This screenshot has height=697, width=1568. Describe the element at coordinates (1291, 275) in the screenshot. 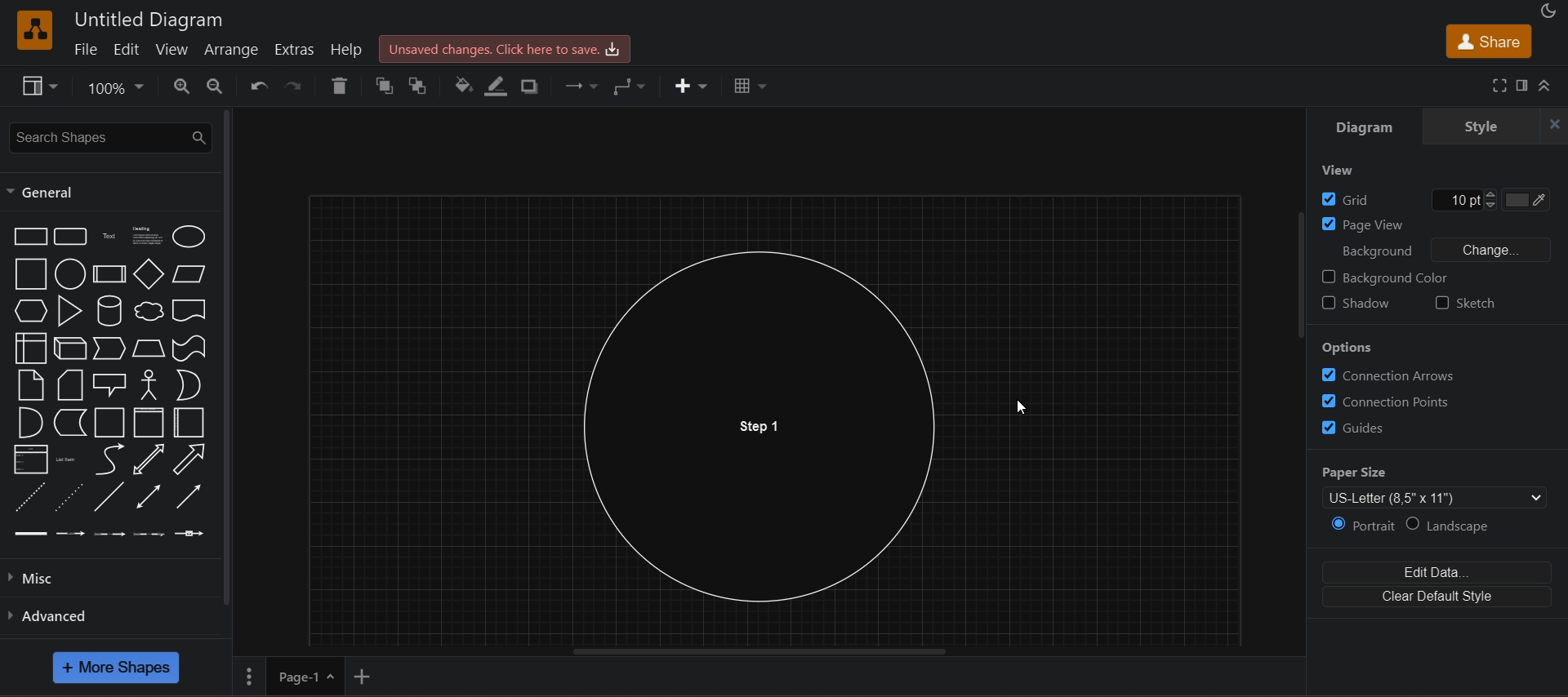

I see `vertical scroll bar` at that location.